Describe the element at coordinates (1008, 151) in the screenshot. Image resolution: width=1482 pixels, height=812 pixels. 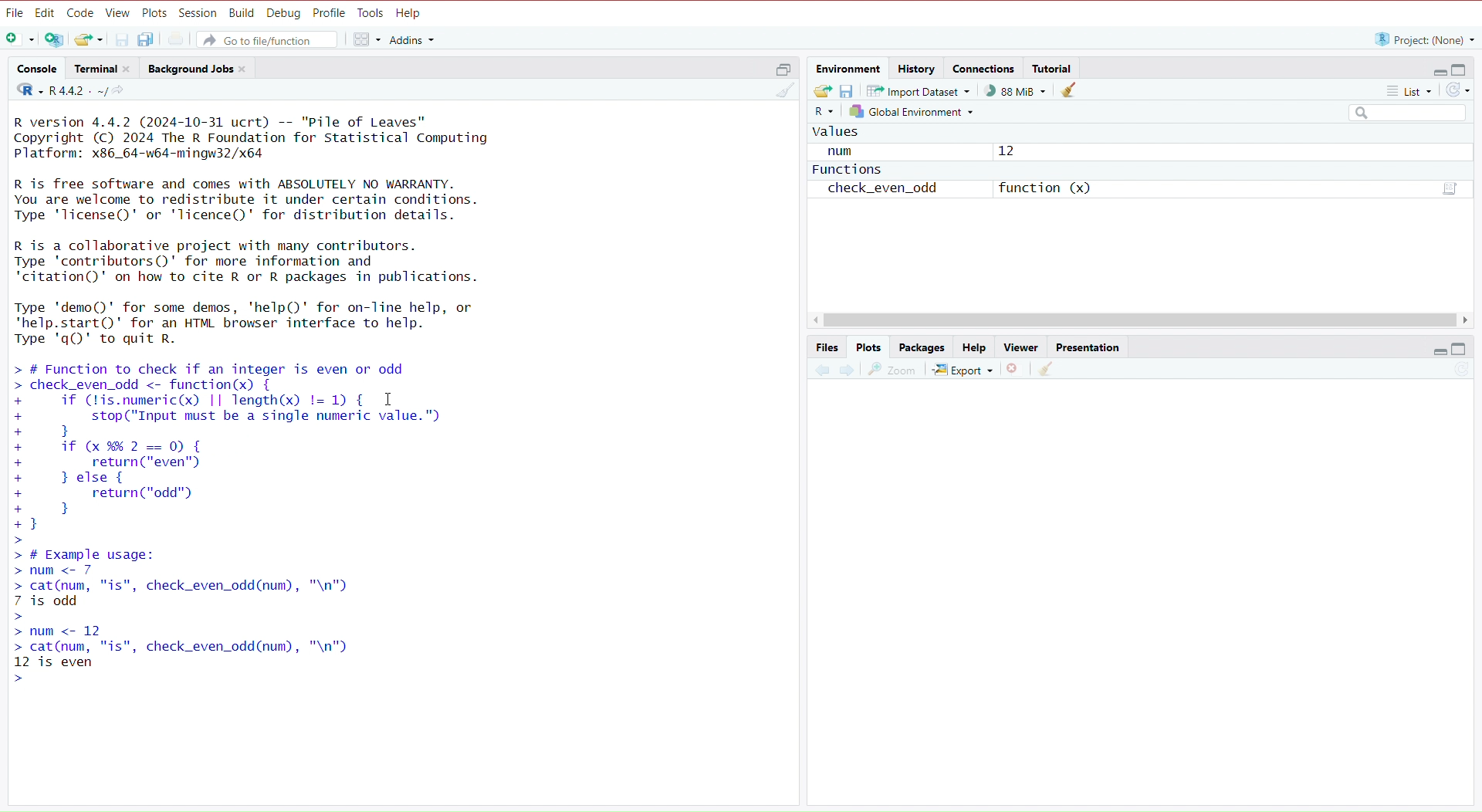
I see `12` at that location.